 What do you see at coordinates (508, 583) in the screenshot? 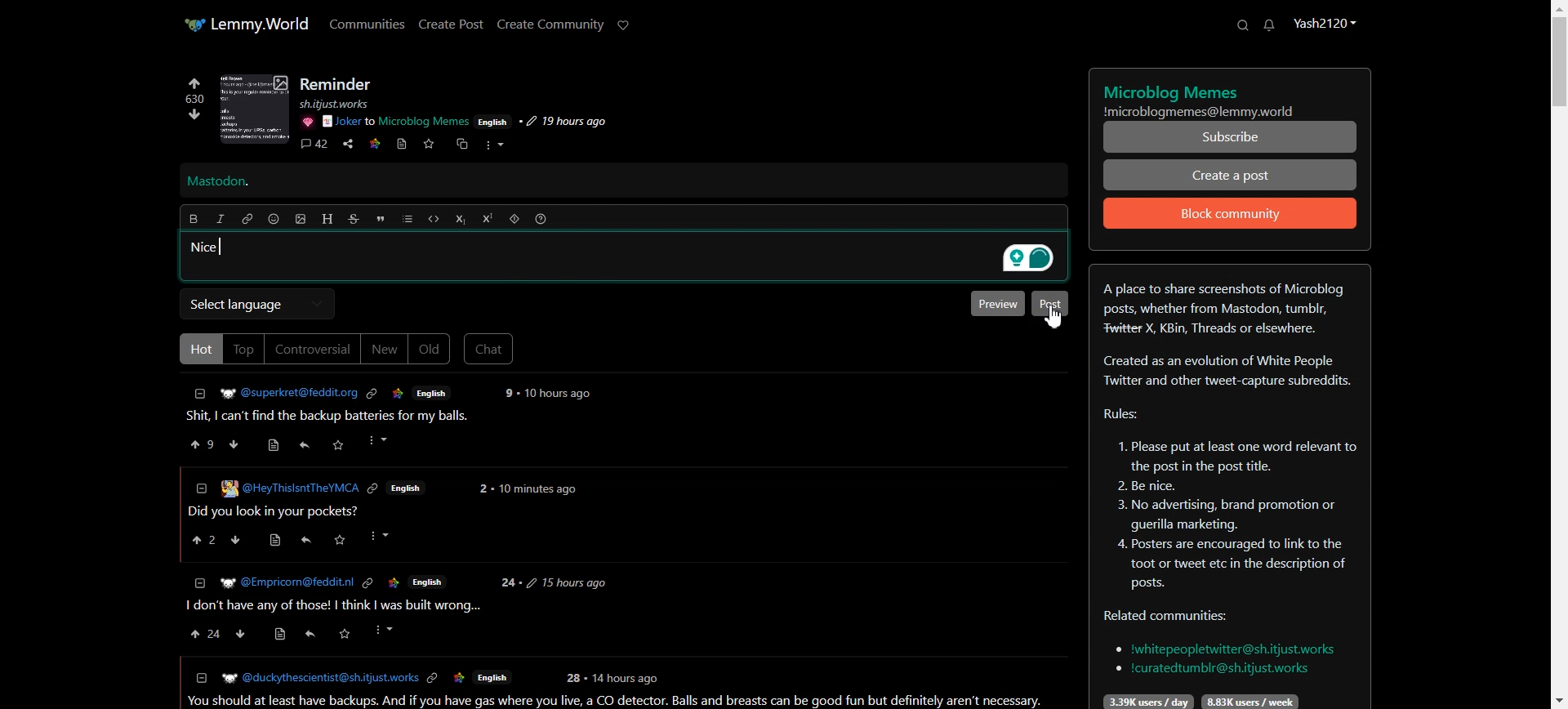
I see `24-` at bounding box center [508, 583].